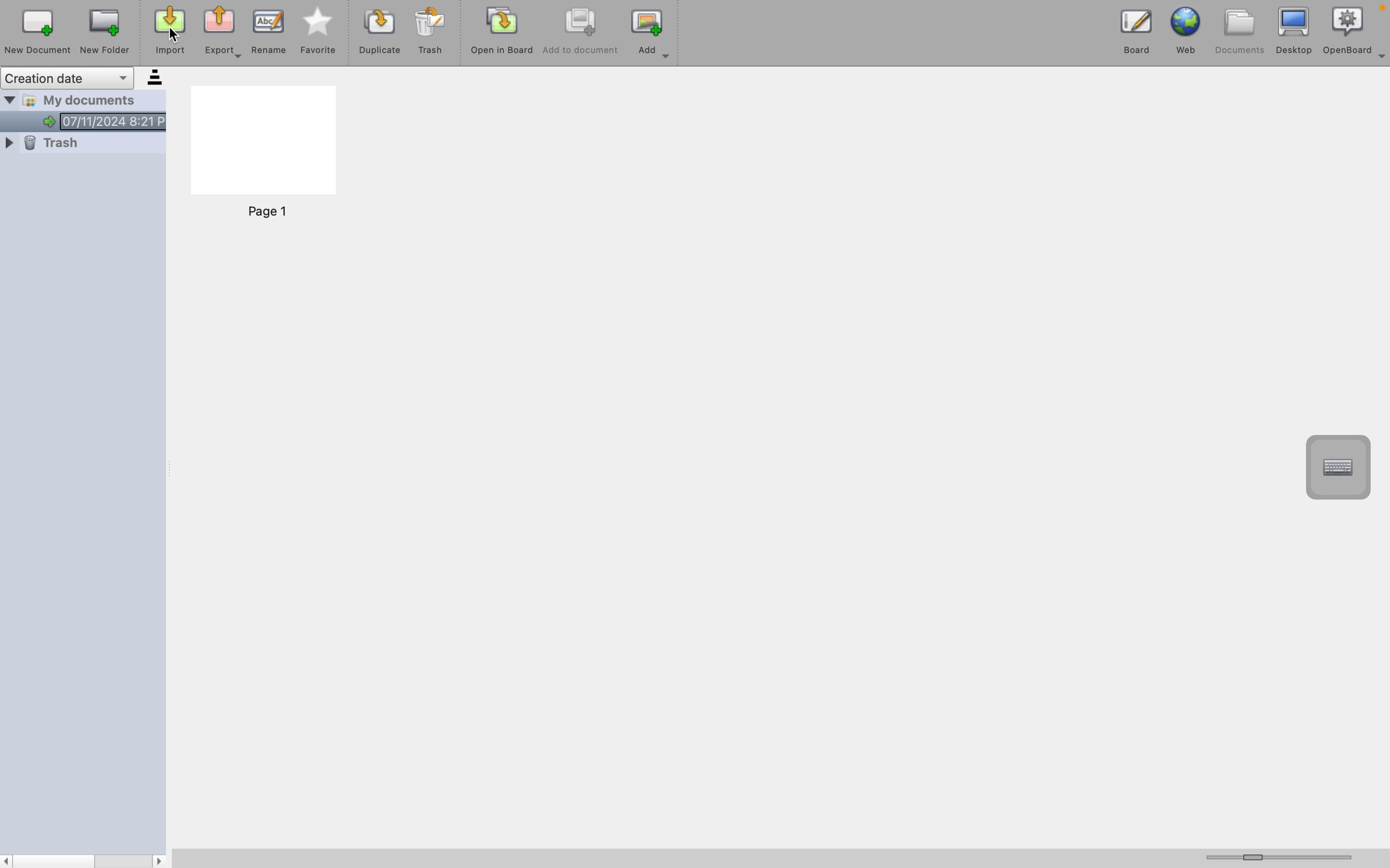  I want to click on page 1, so click(265, 156).